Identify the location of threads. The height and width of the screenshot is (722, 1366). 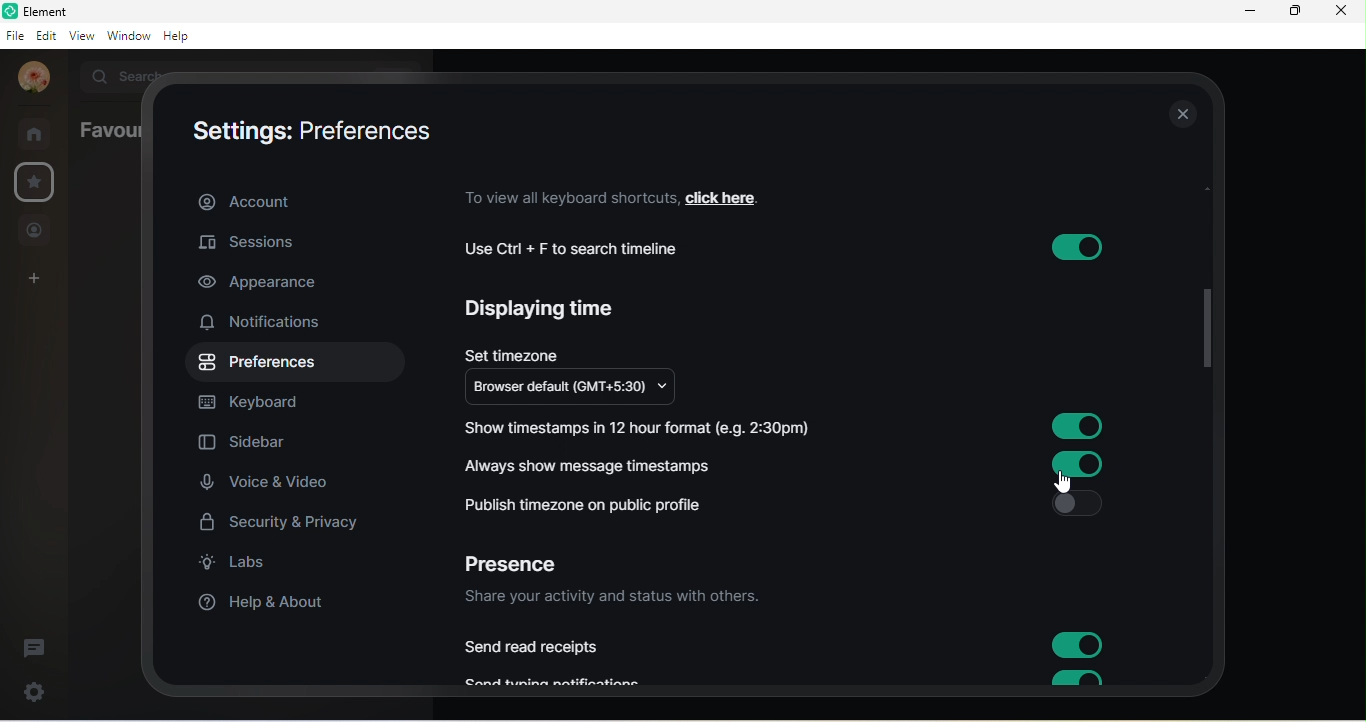
(41, 642).